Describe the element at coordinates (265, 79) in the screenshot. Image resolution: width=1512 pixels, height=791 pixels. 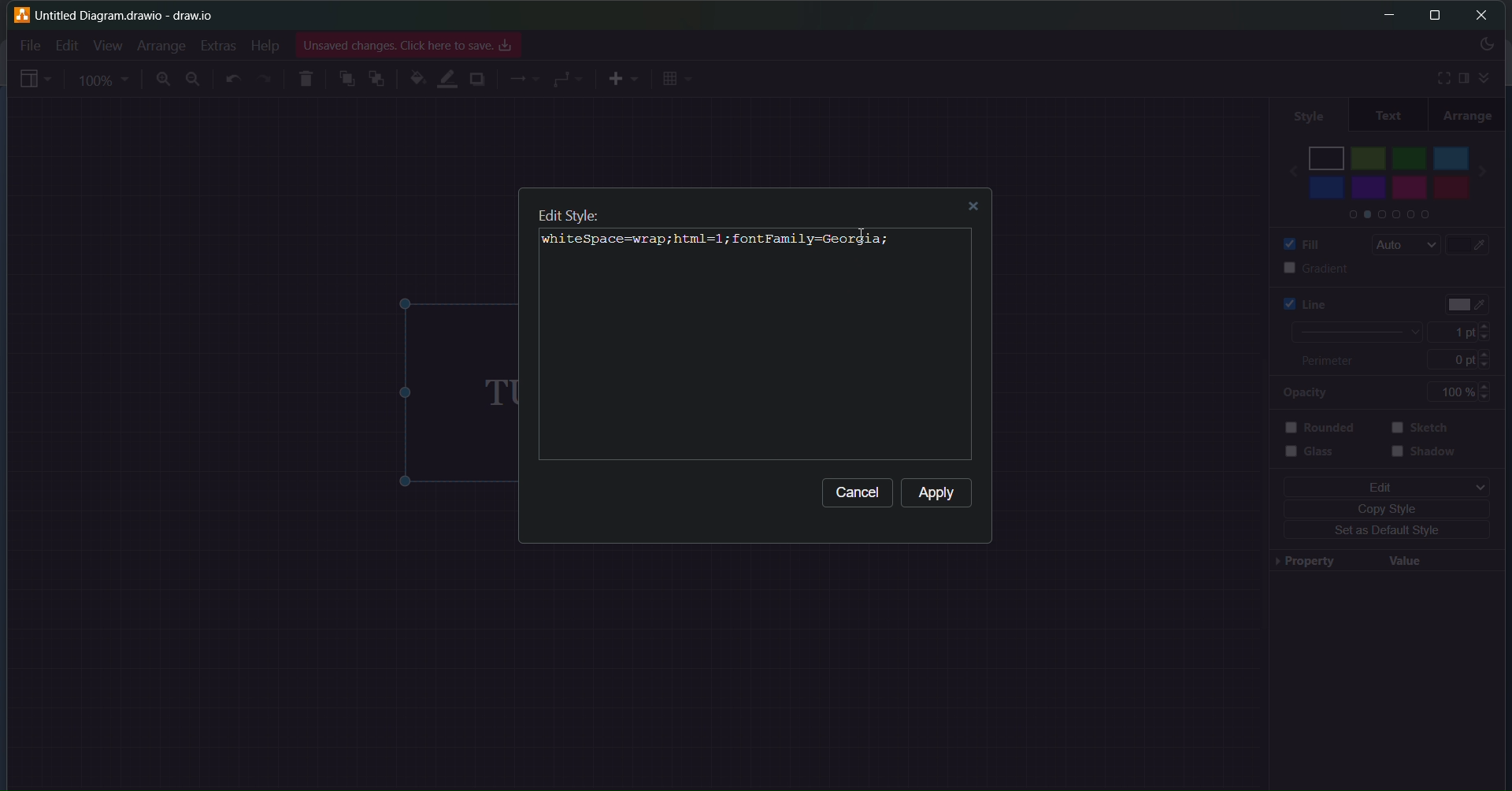
I see `redo` at that location.